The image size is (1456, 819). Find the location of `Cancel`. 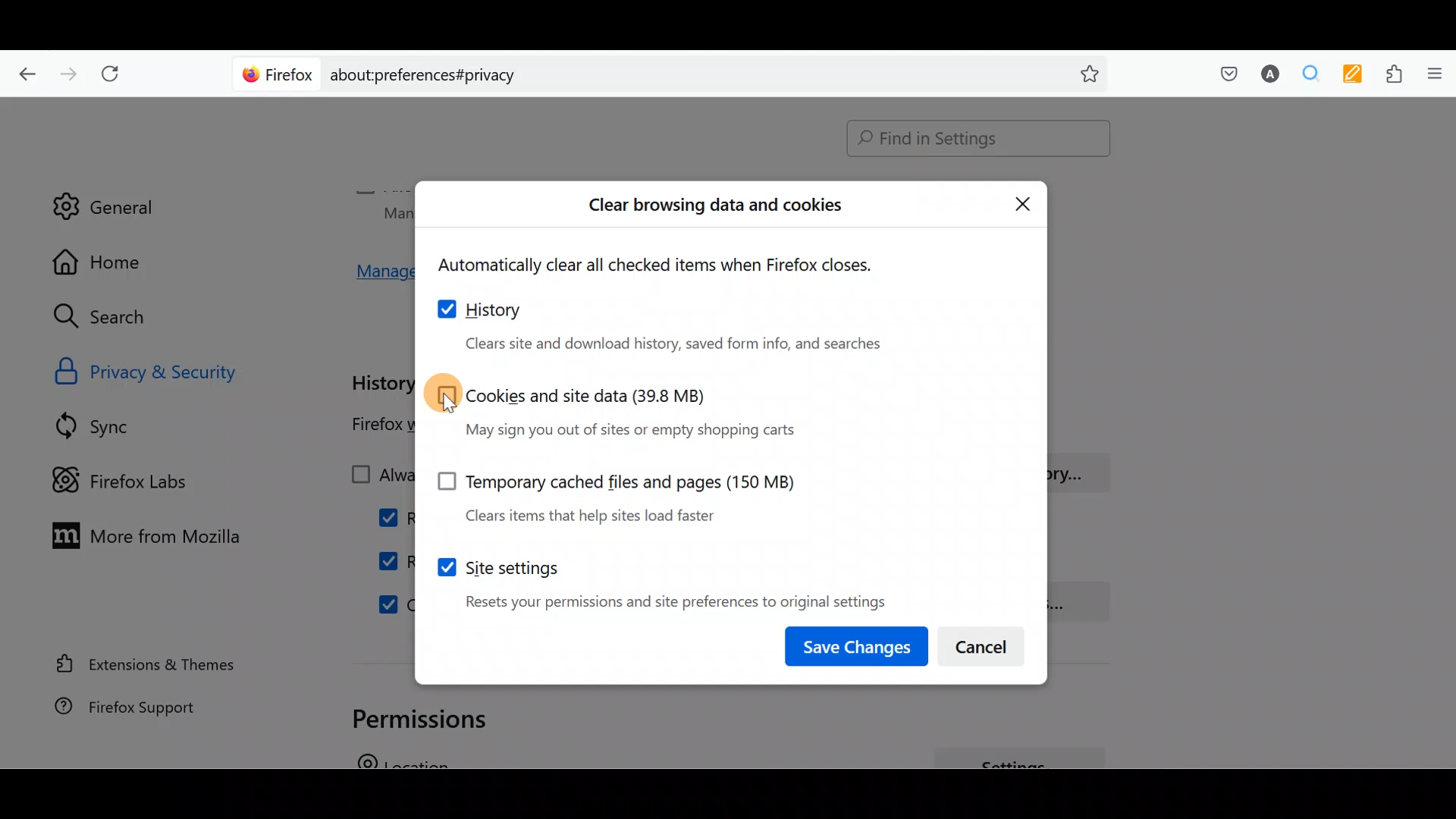

Cancel is located at coordinates (984, 642).